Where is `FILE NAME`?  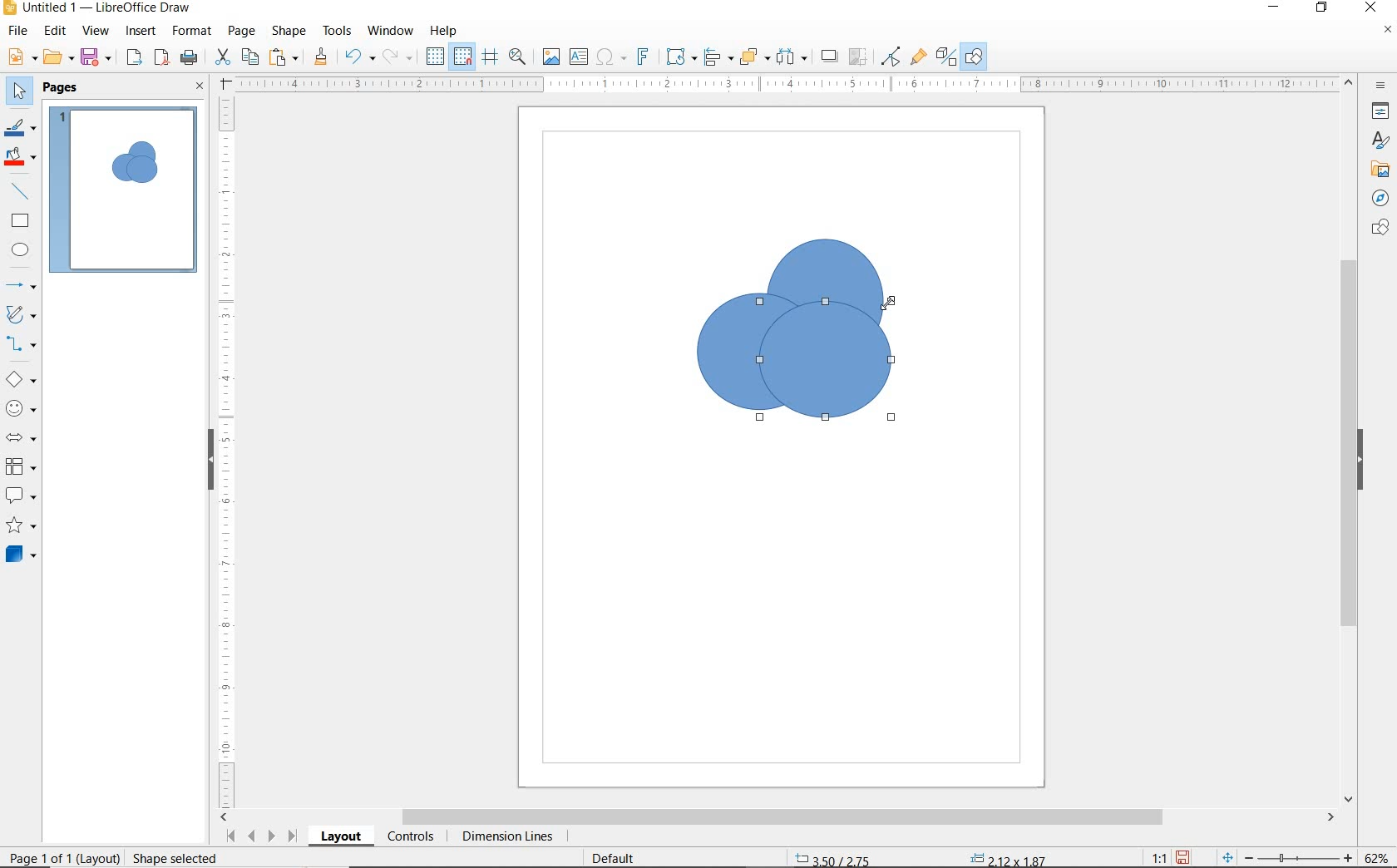 FILE NAME is located at coordinates (96, 9).